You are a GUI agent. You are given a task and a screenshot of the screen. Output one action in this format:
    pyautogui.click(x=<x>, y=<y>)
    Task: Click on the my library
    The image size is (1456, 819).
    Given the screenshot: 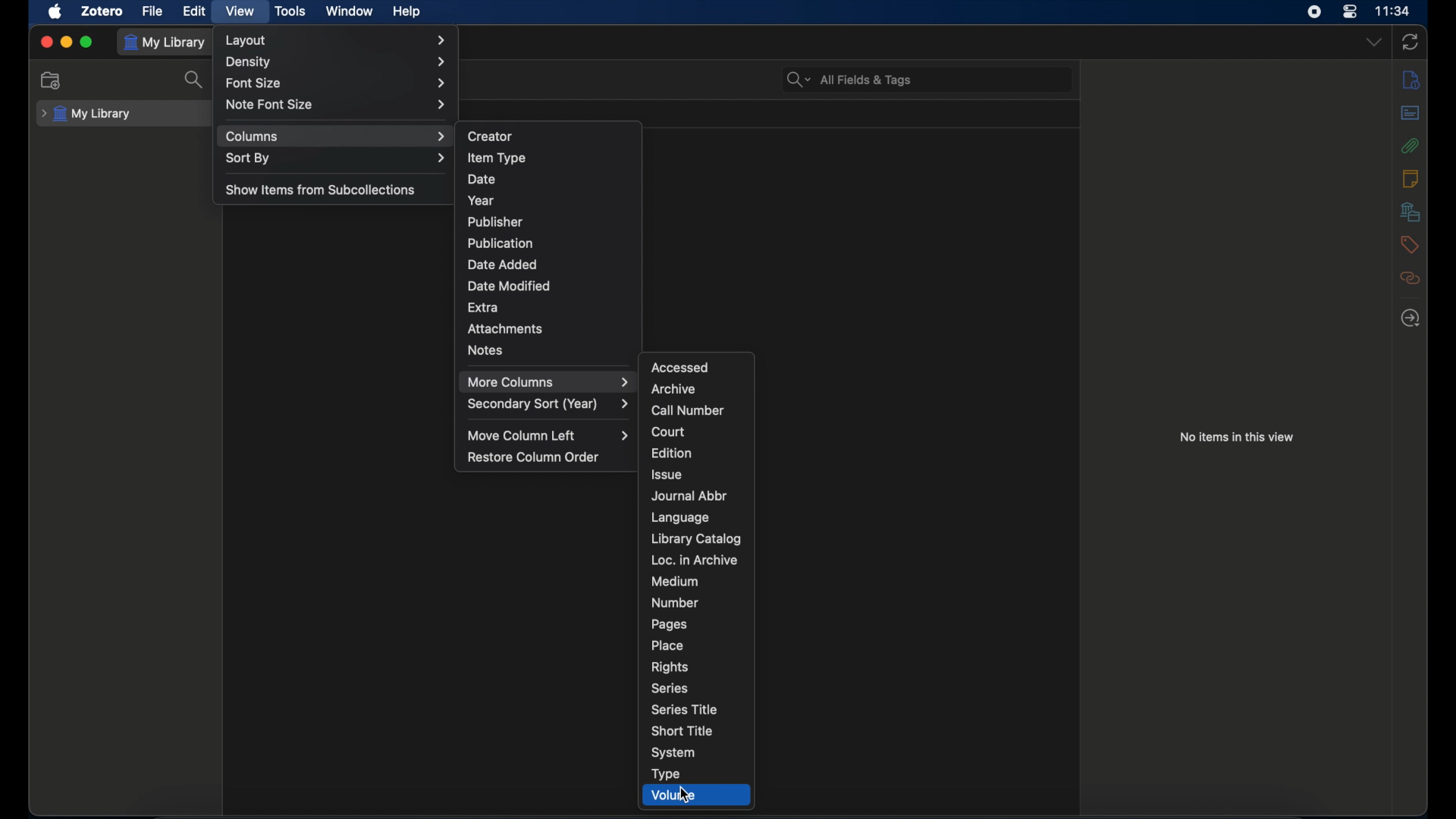 What is the action you would take?
    pyautogui.click(x=165, y=42)
    